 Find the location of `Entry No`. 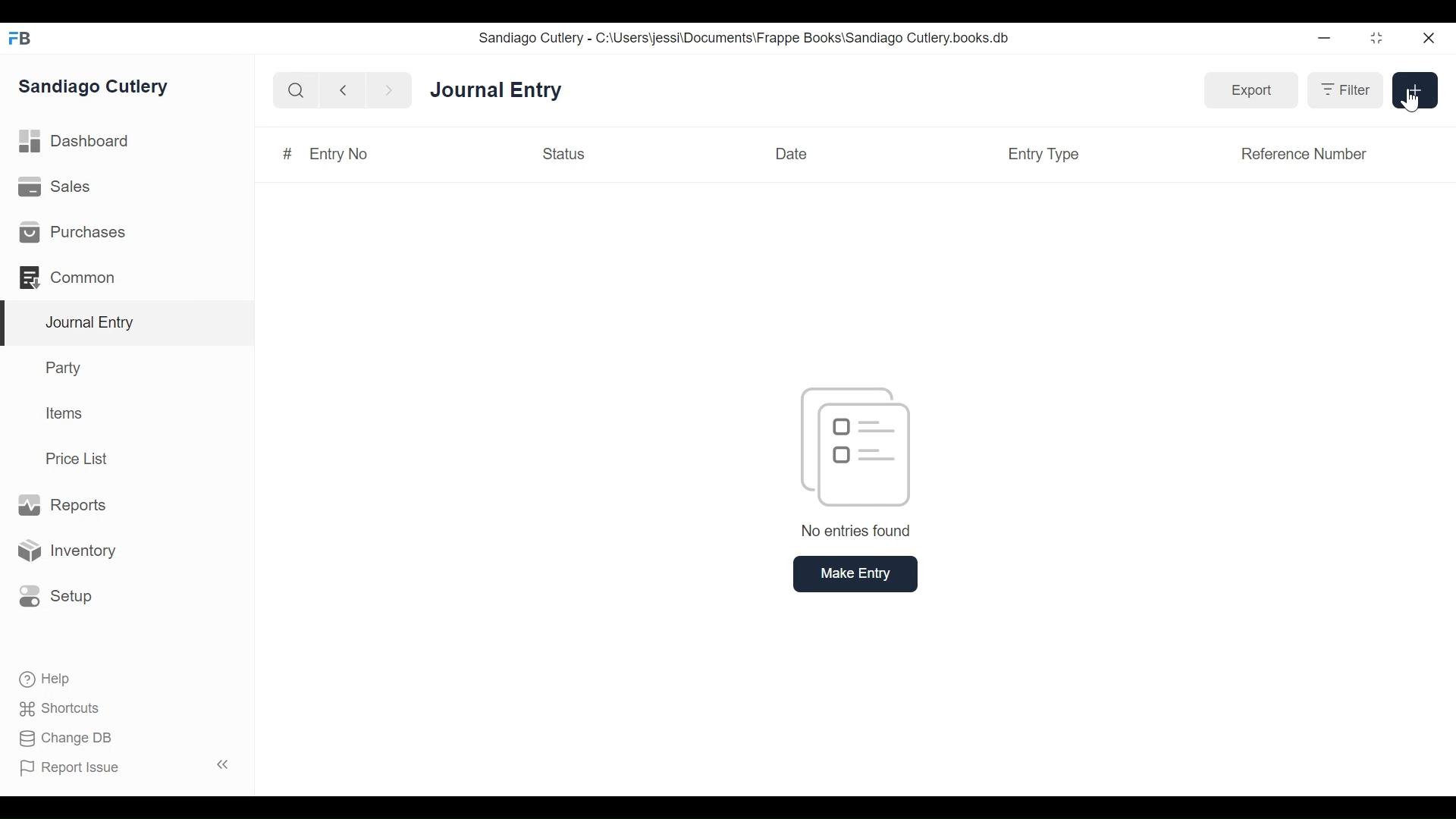

Entry No is located at coordinates (337, 154).